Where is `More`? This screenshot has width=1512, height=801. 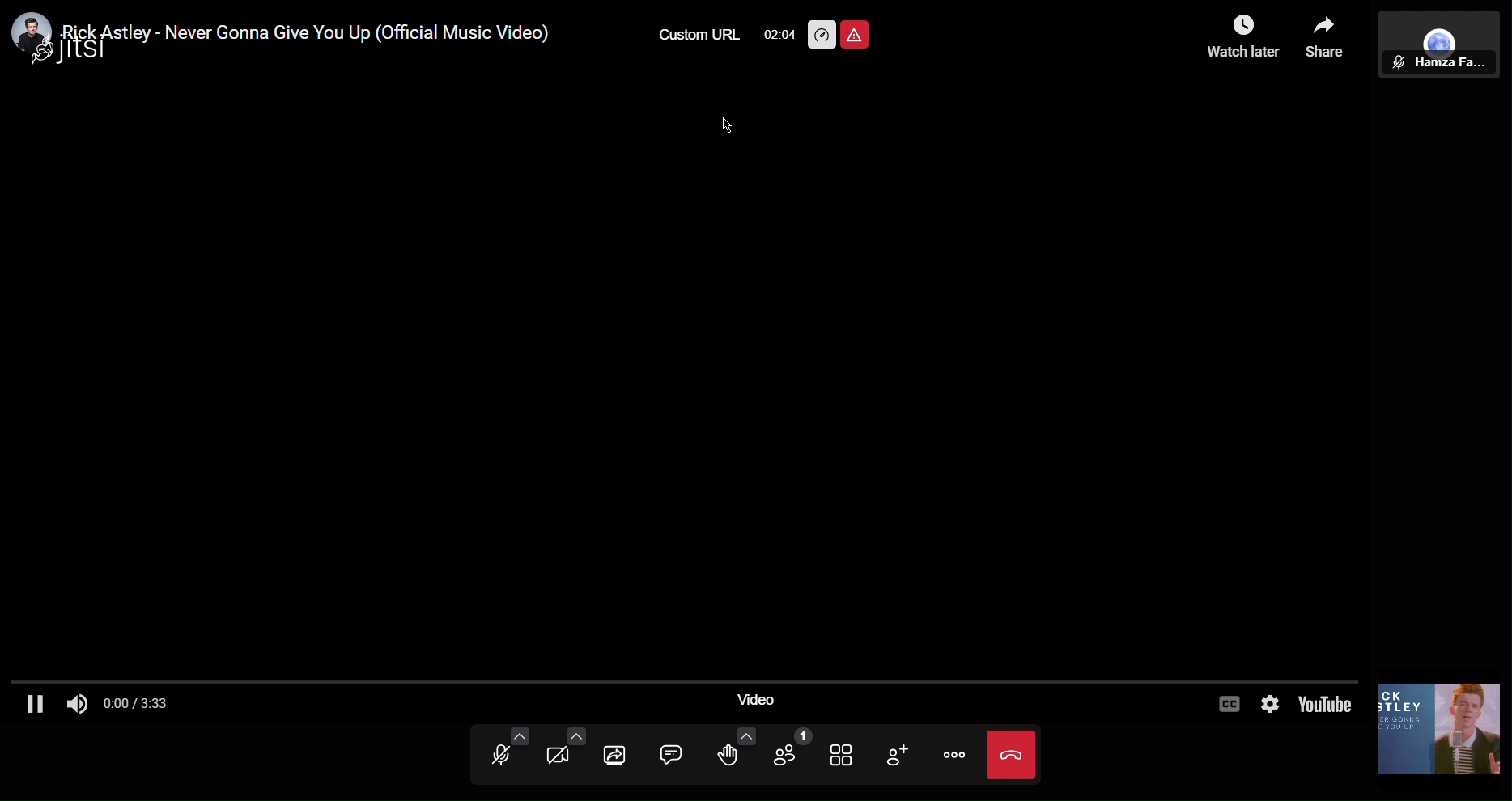 More is located at coordinates (953, 754).